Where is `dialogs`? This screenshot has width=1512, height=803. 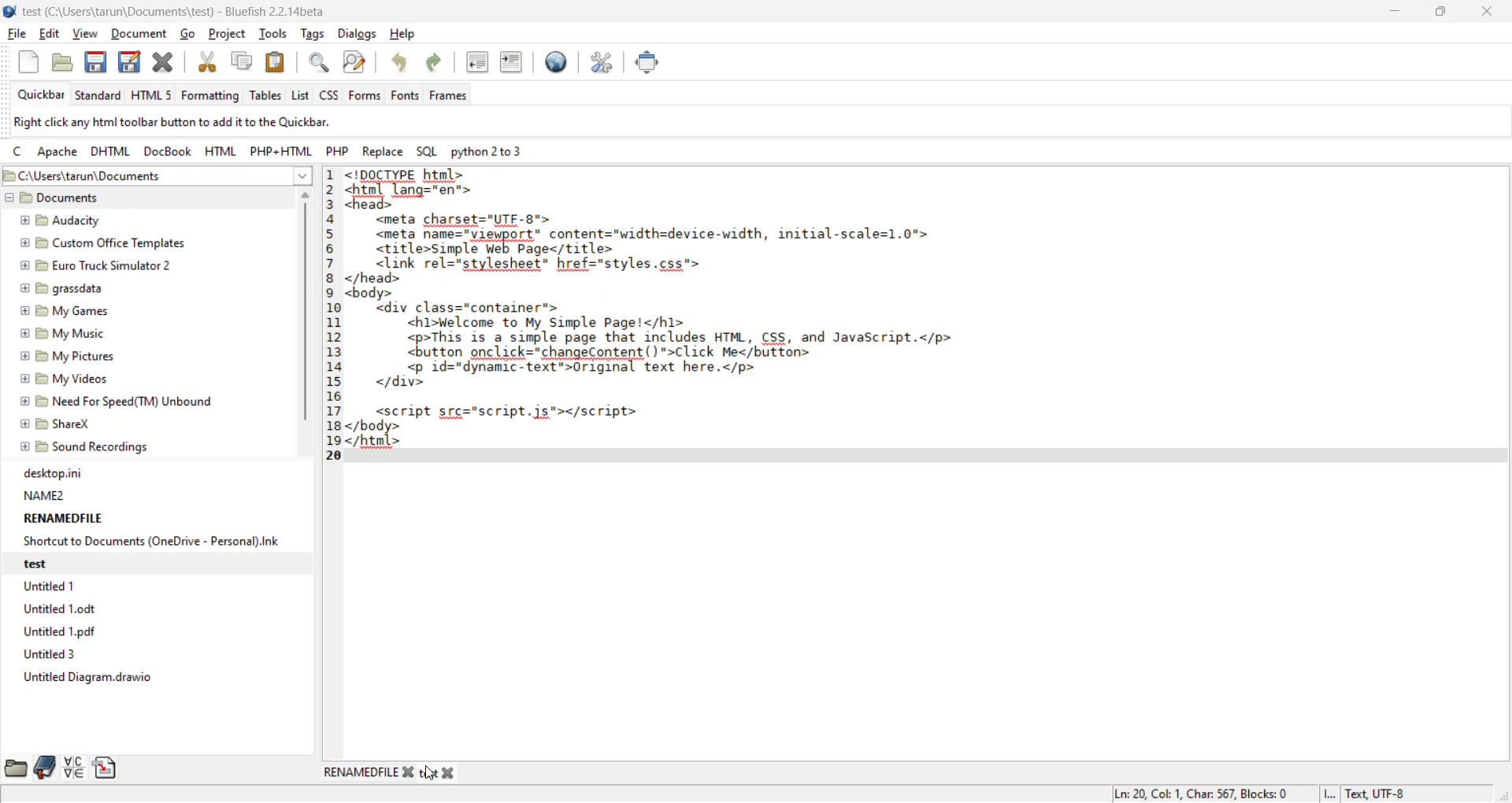 dialogs is located at coordinates (361, 35).